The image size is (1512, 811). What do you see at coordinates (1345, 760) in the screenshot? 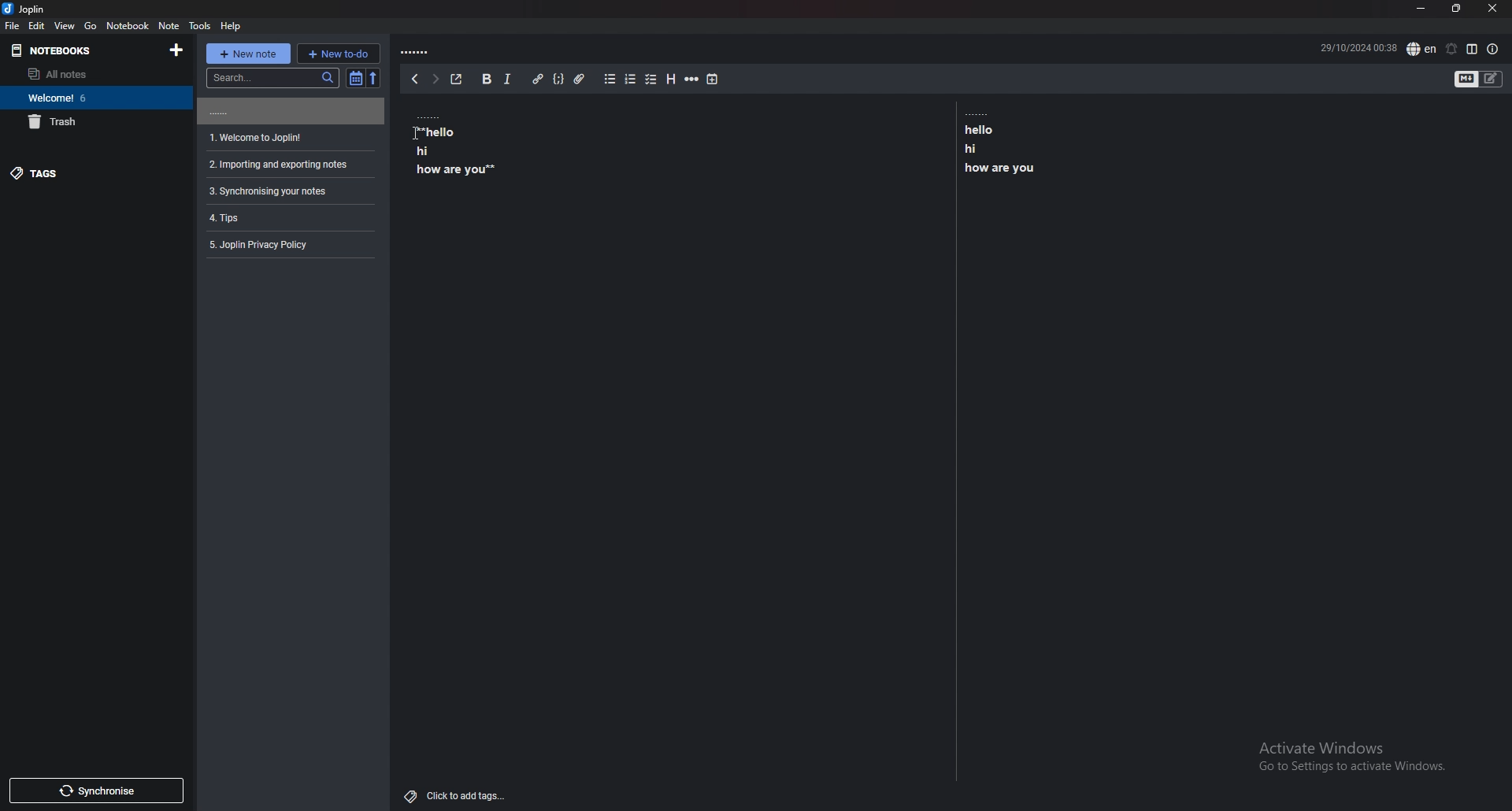
I see `` at bounding box center [1345, 760].